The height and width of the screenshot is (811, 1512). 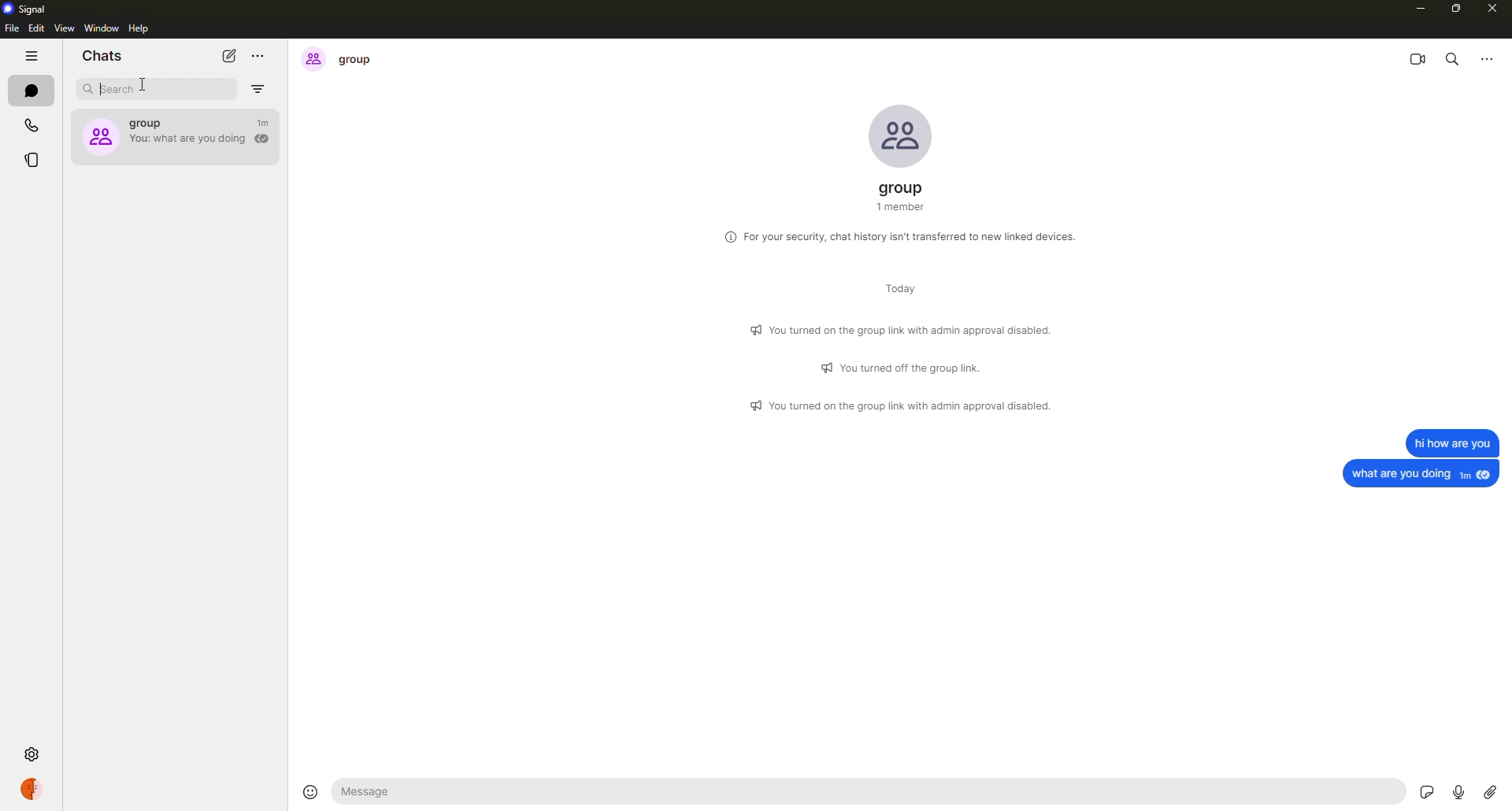 I want to click on stories, so click(x=33, y=161).